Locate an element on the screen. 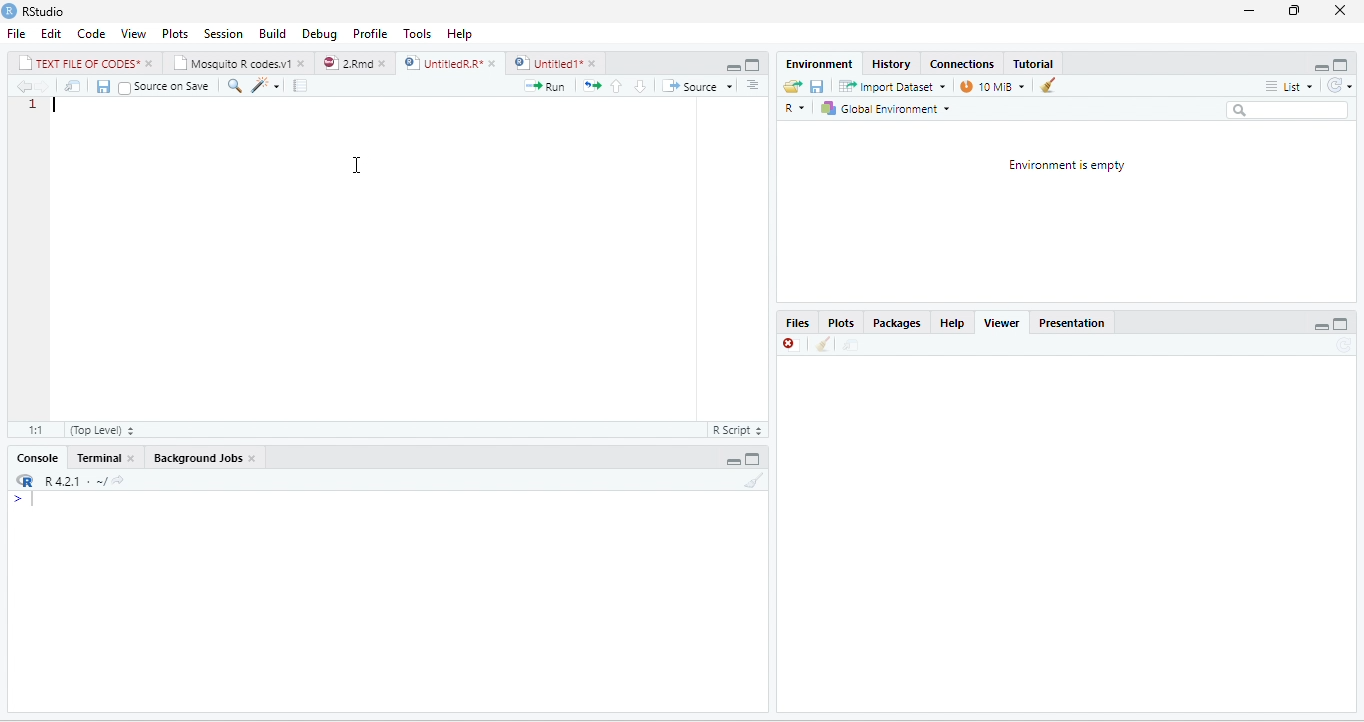  1 is located at coordinates (33, 104).